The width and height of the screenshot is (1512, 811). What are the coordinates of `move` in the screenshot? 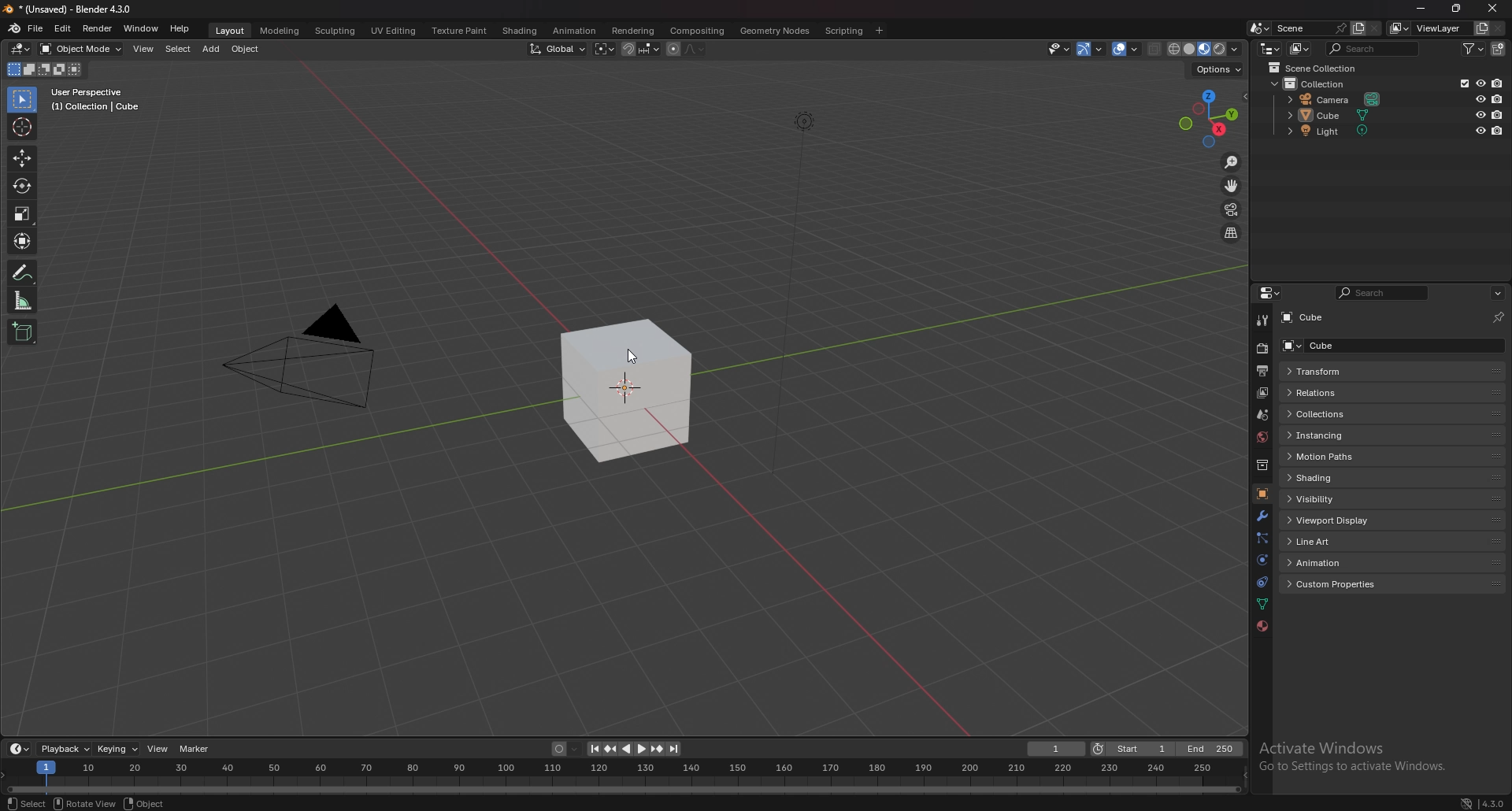 It's located at (1231, 186).